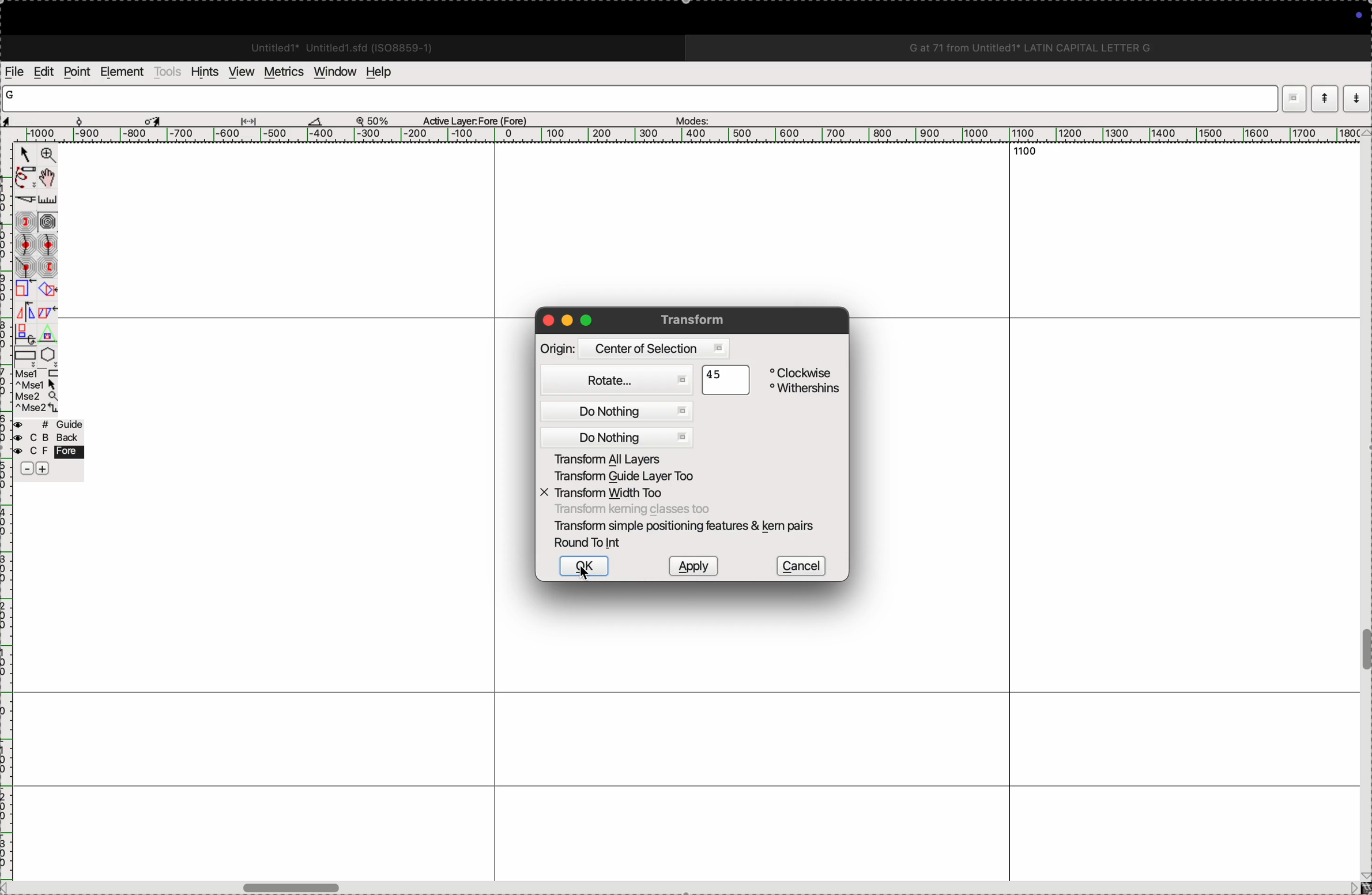 The height and width of the screenshot is (895, 1372). I want to click on Centre of selection, so click(664, 350).